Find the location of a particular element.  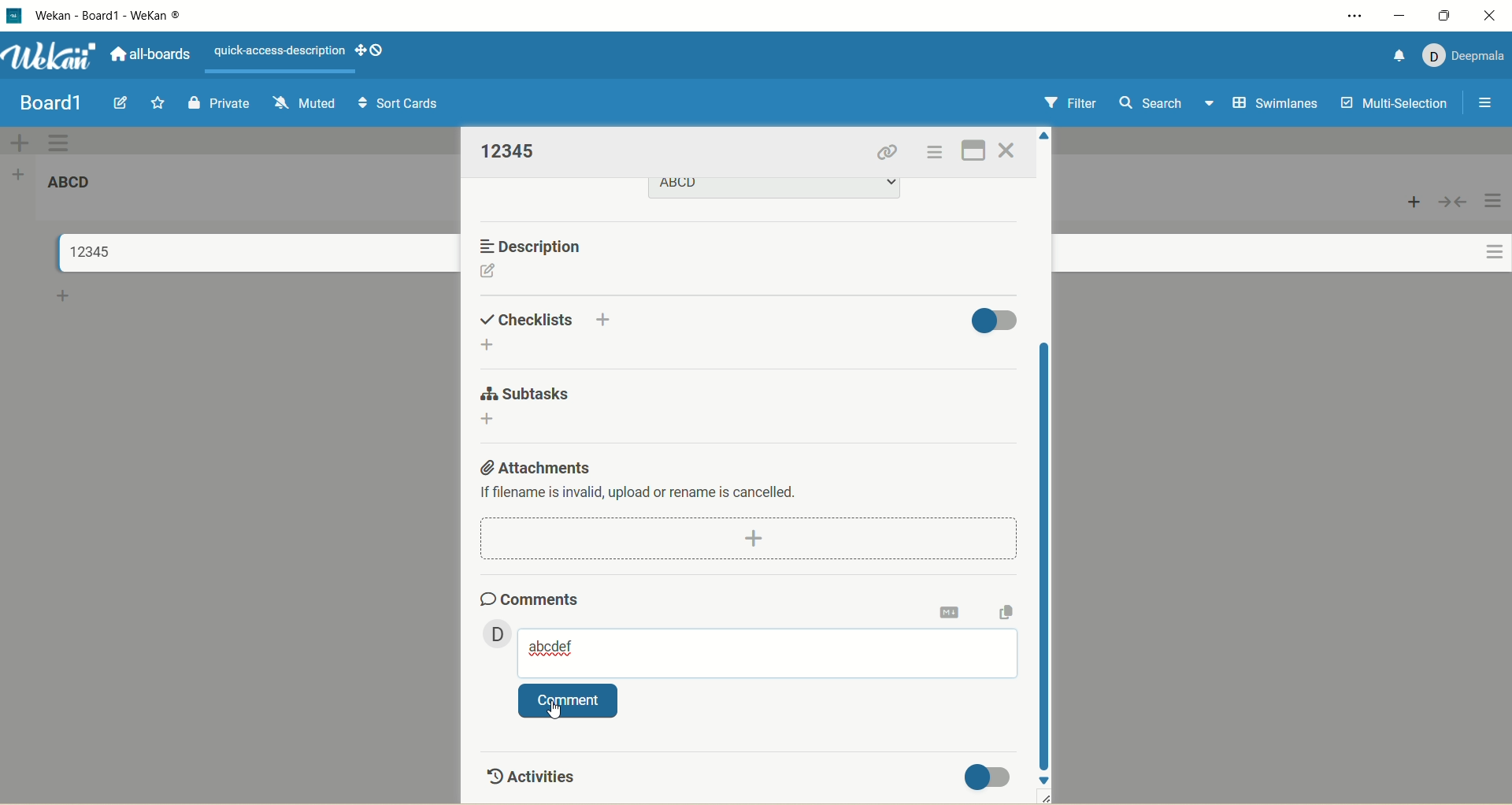

checklist is located at coordinates (528, 317).